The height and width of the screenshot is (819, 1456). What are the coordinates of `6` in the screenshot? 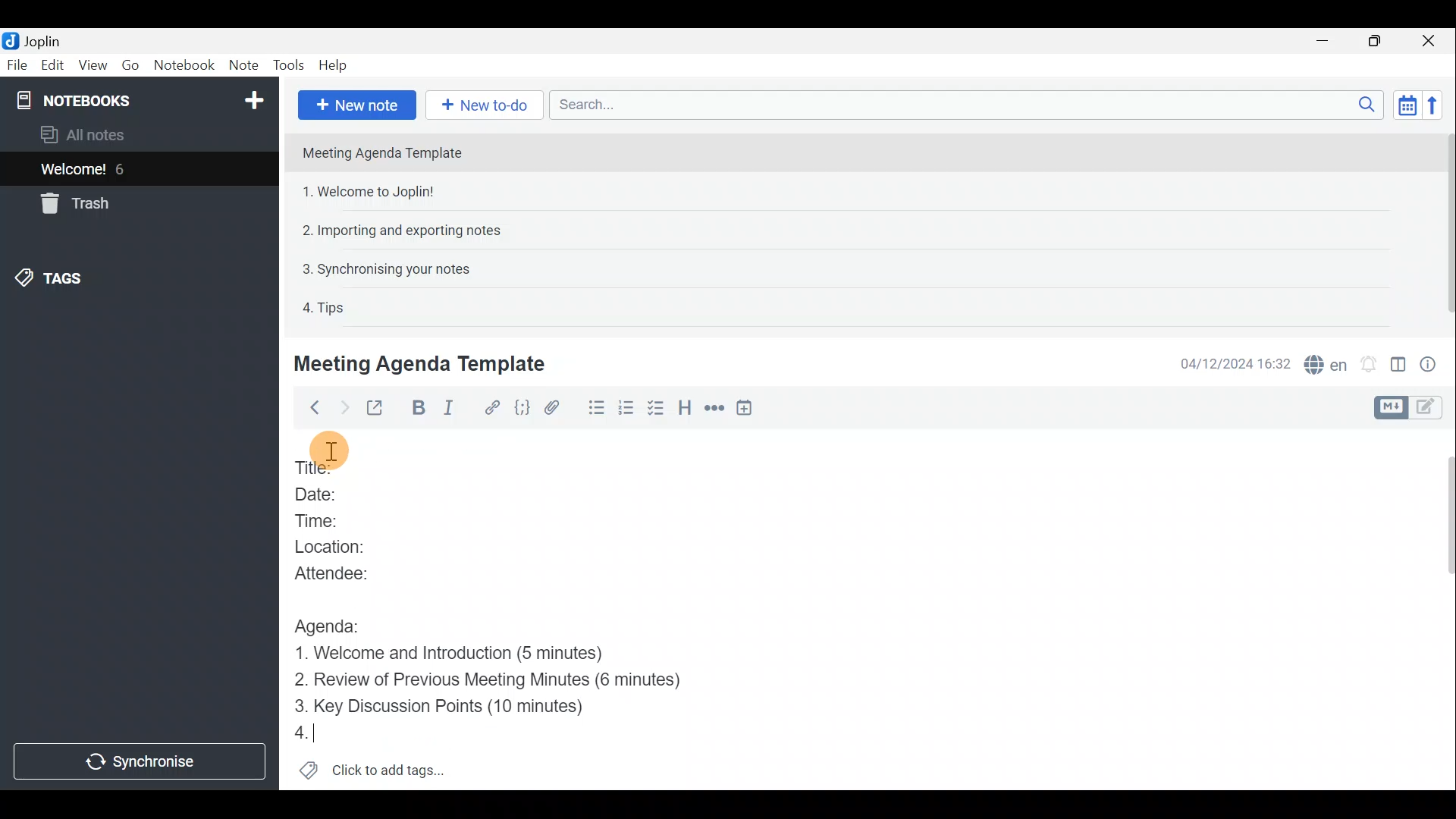 It's located at (124, 169).